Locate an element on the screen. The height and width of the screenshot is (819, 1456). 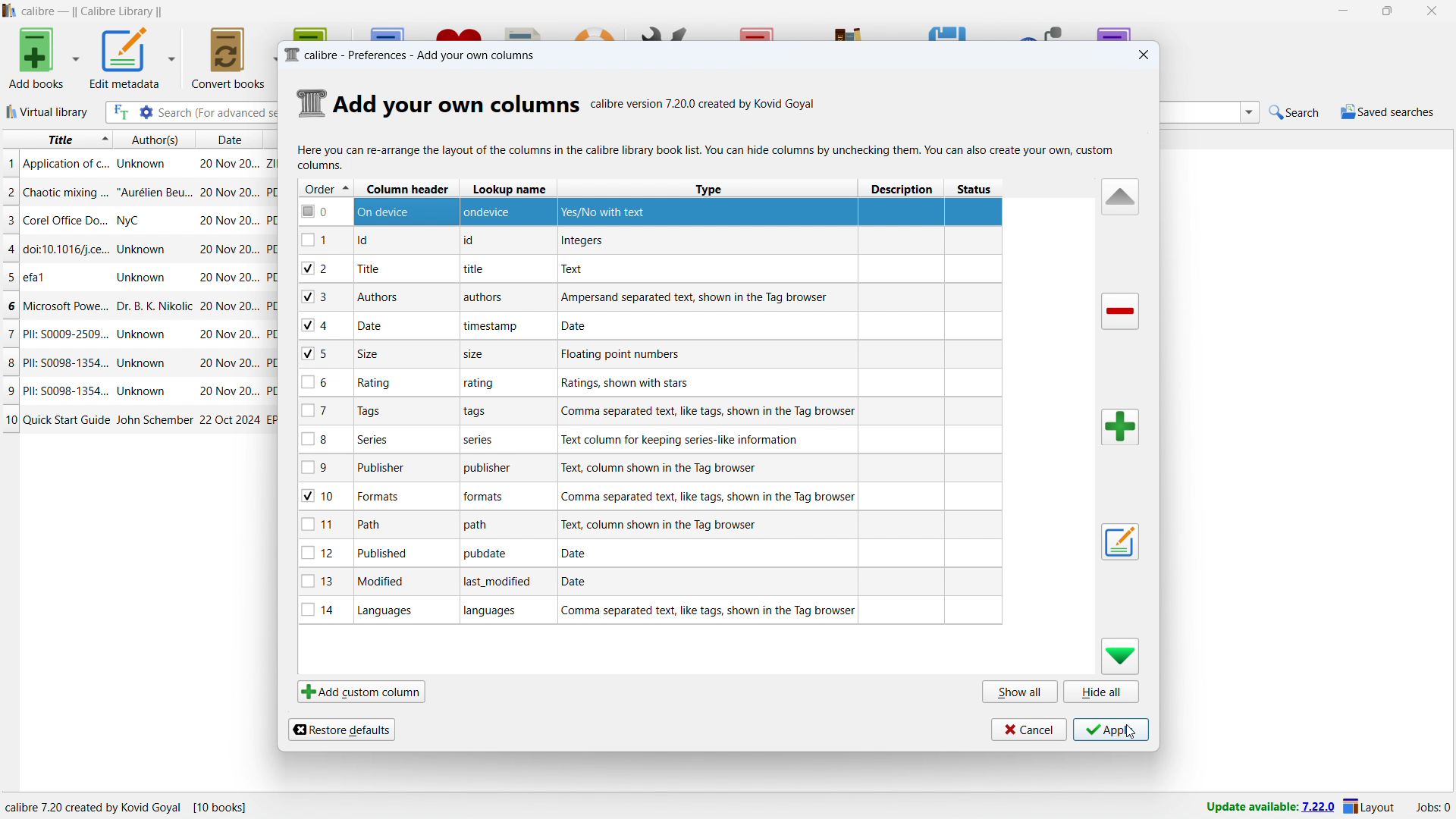
add books is located at coordinates (37, 58).